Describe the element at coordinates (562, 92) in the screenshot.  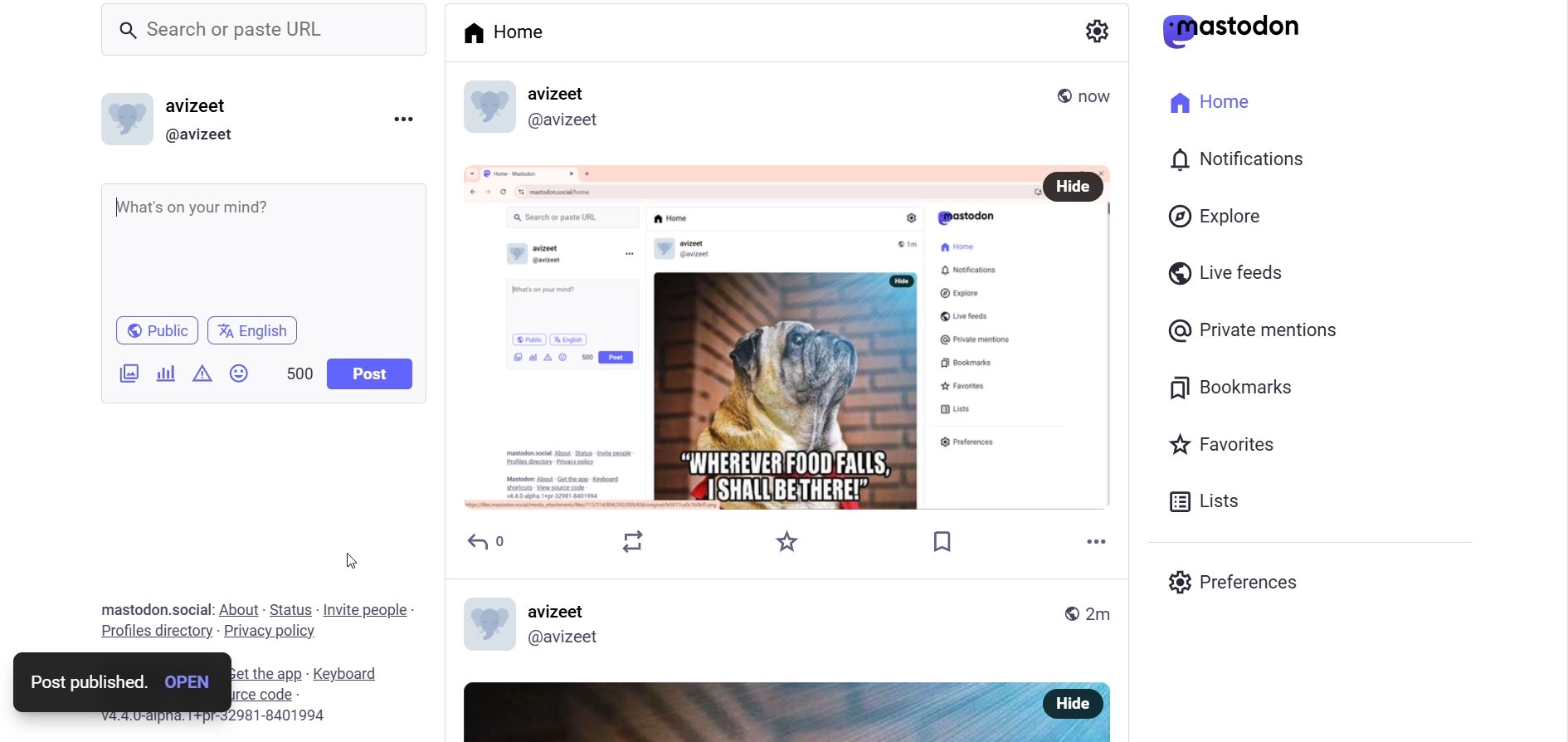
I see `avizeet` at that location.